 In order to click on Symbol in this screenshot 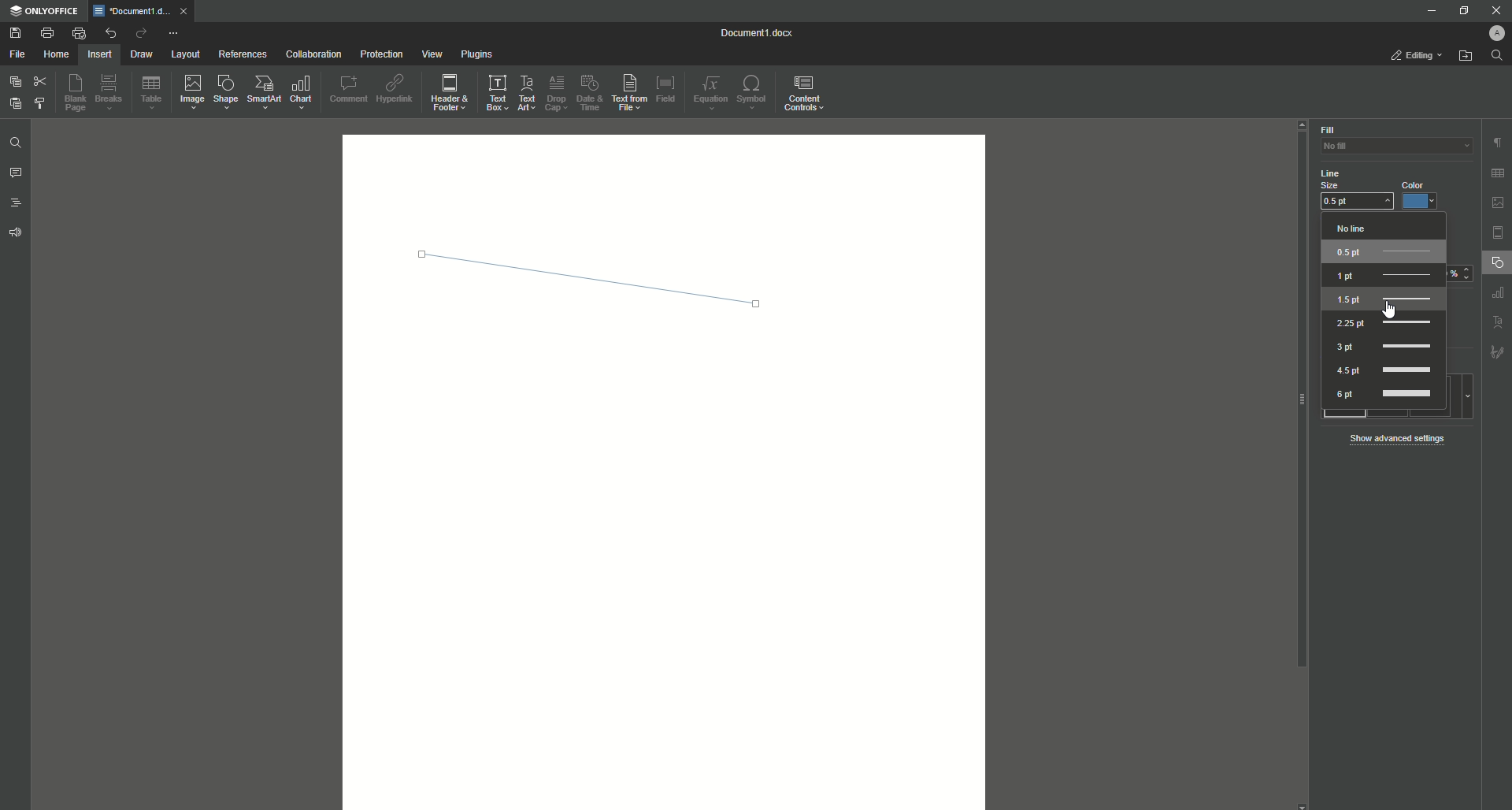, I will do `click(754, 94)`.